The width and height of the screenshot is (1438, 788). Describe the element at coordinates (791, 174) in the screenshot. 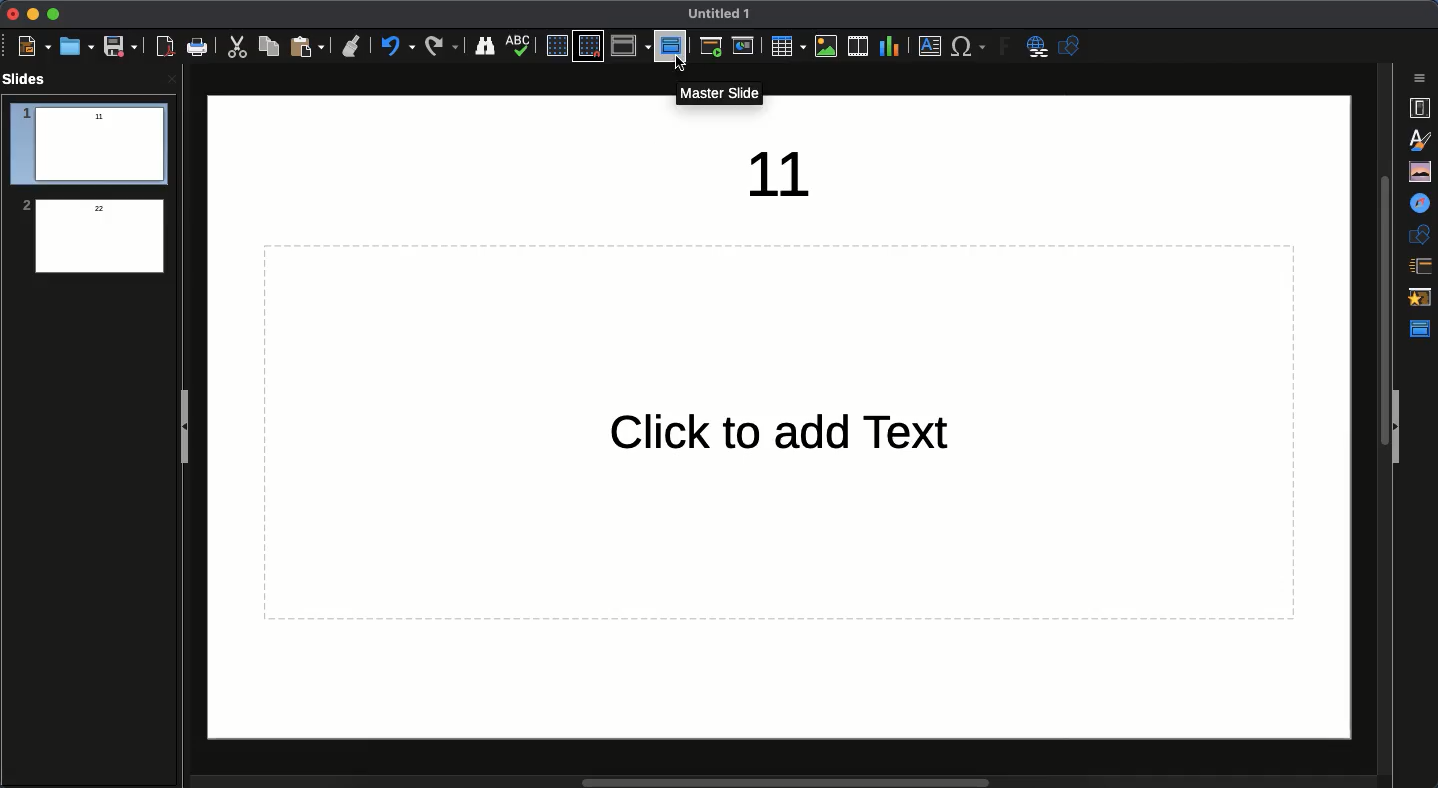

I see `Title` at that location.